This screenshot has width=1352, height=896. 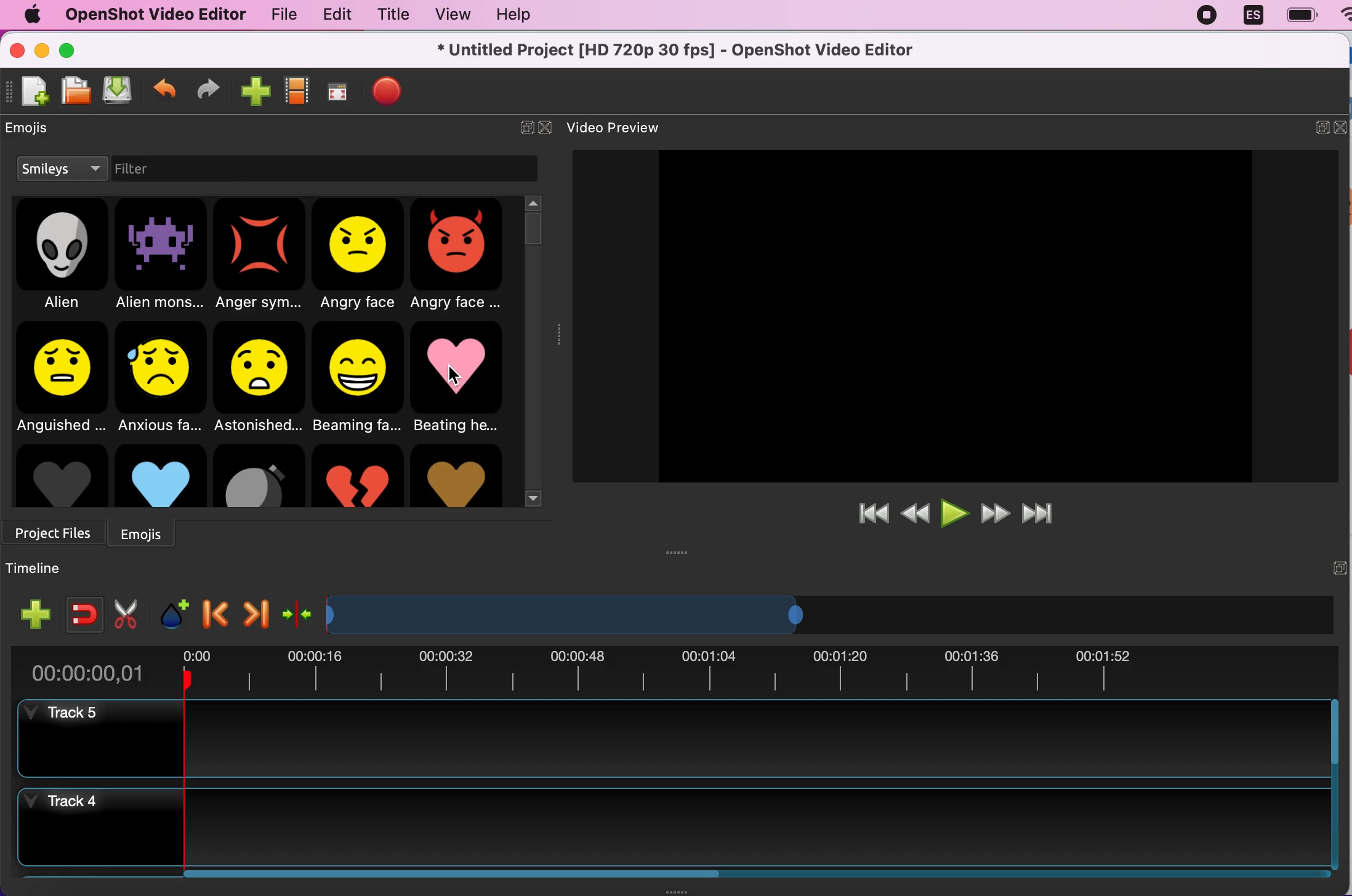 What do you see at coordinates (357, 476) in the screenshot?
I see `Broken heart` at bounding box center [357, 476].